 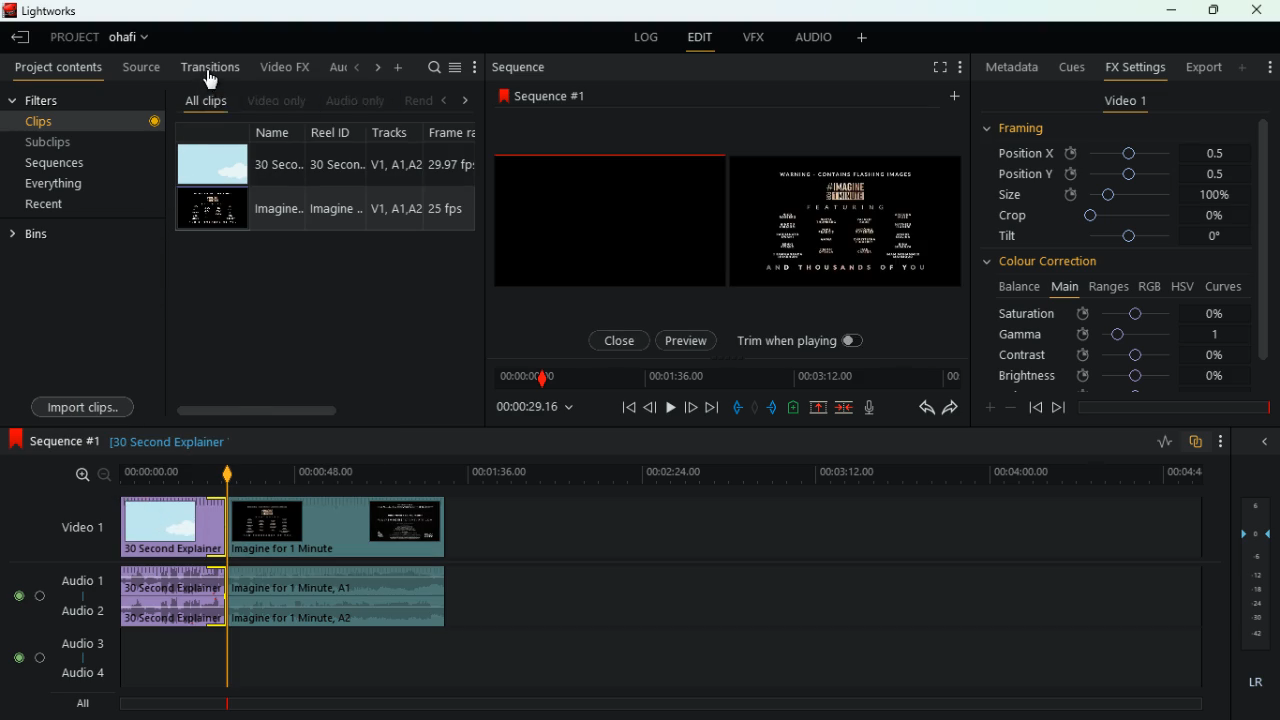 I want to click on position y, so click(x=1121, y=173).